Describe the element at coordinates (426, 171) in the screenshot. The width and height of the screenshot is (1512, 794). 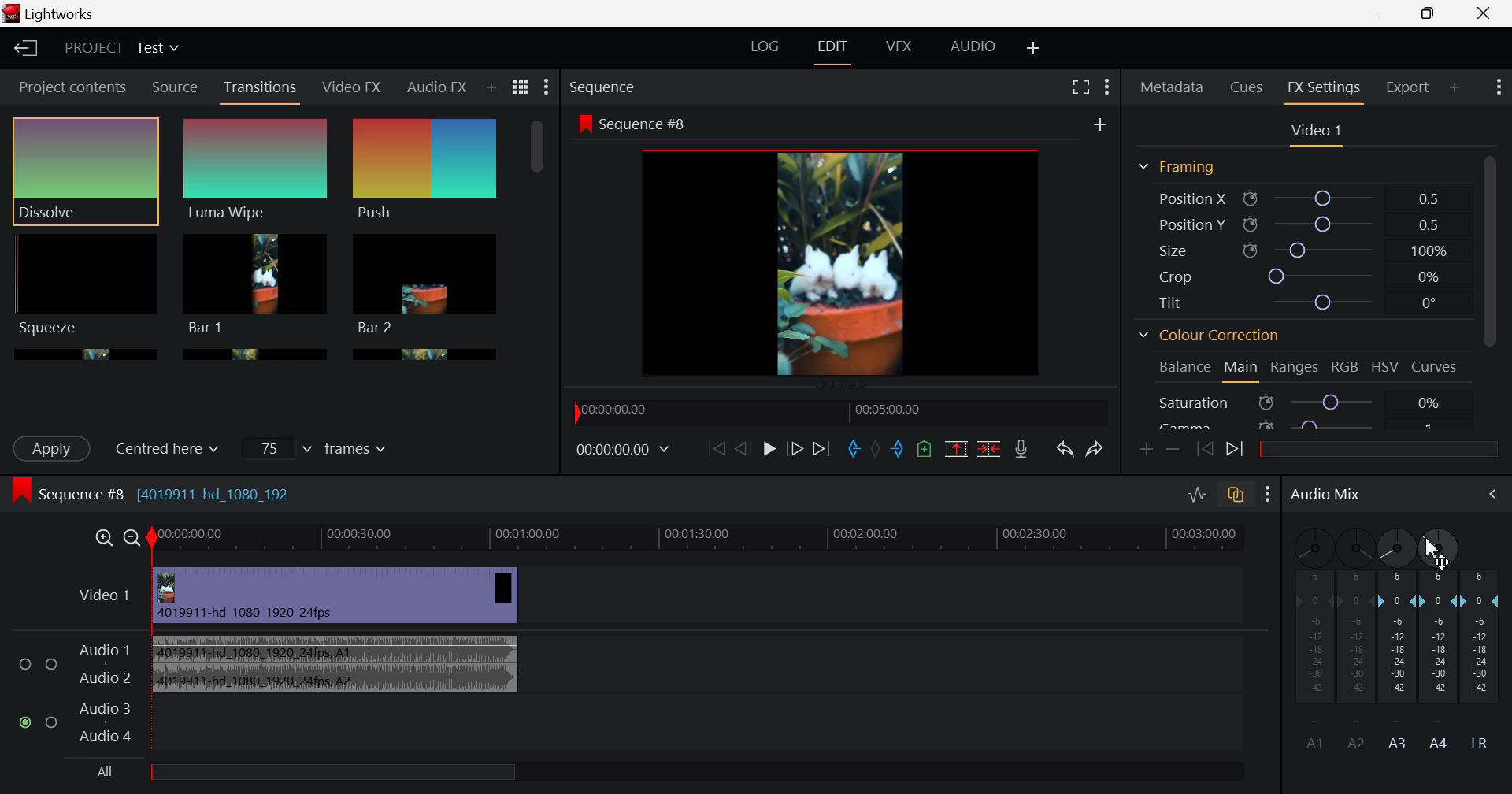
I see `Push` at that location.